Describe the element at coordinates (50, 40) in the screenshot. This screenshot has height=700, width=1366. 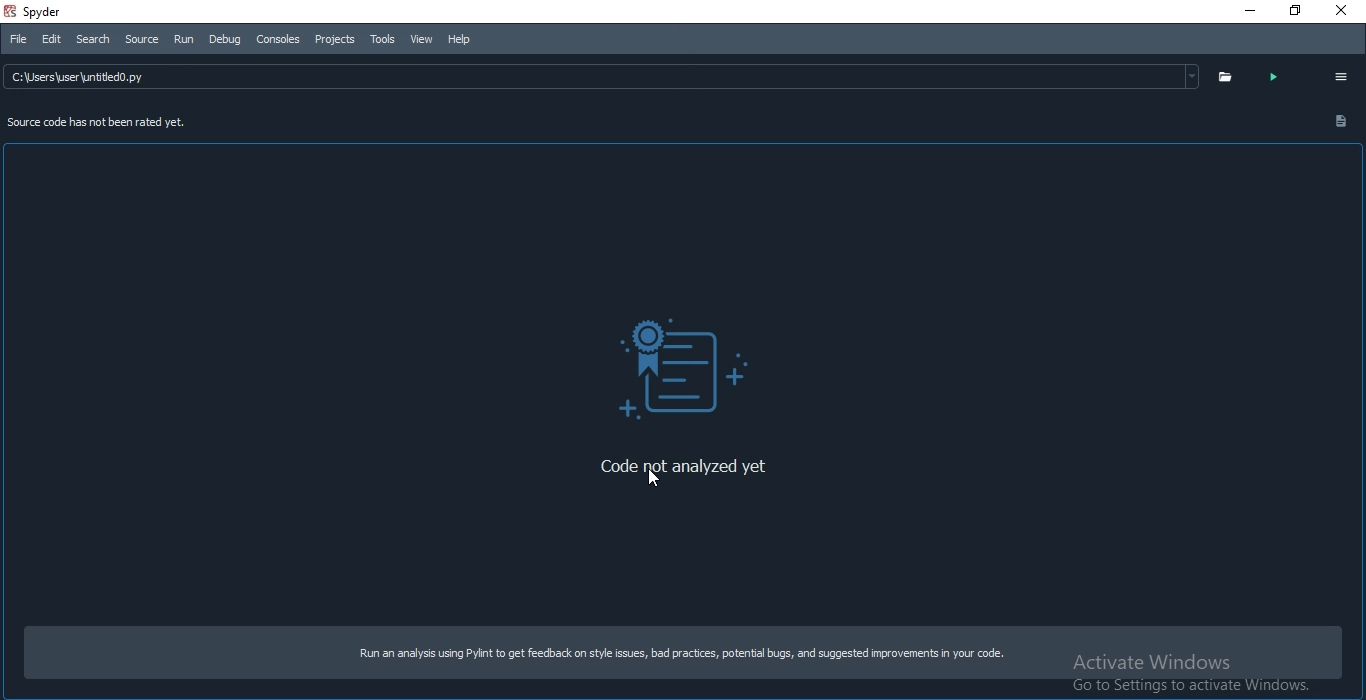
I see `Edit` at that location.